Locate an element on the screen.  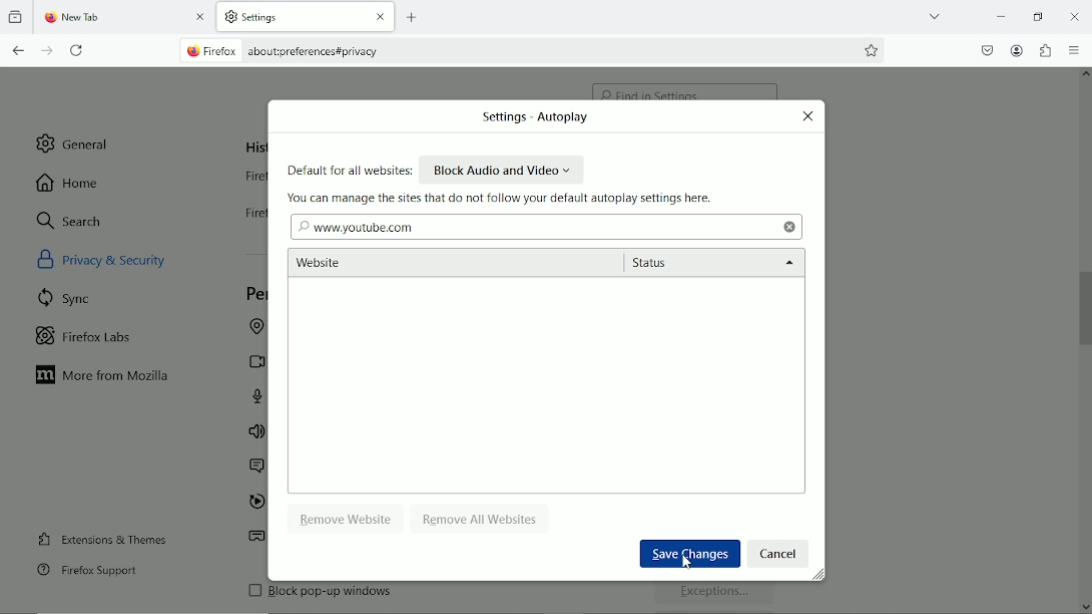
close is located at coordinates (789, 227).